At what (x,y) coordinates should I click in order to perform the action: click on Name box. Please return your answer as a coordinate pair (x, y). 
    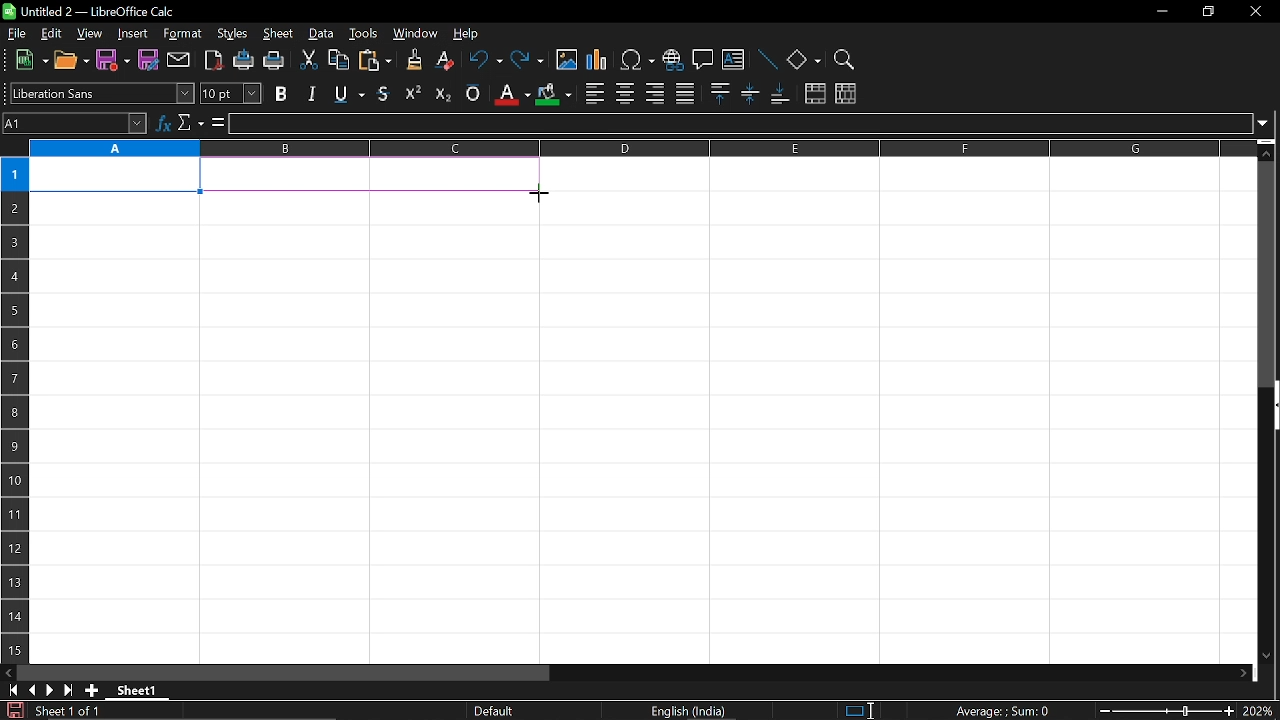
    Looking at the image, I should click on (75, 124).